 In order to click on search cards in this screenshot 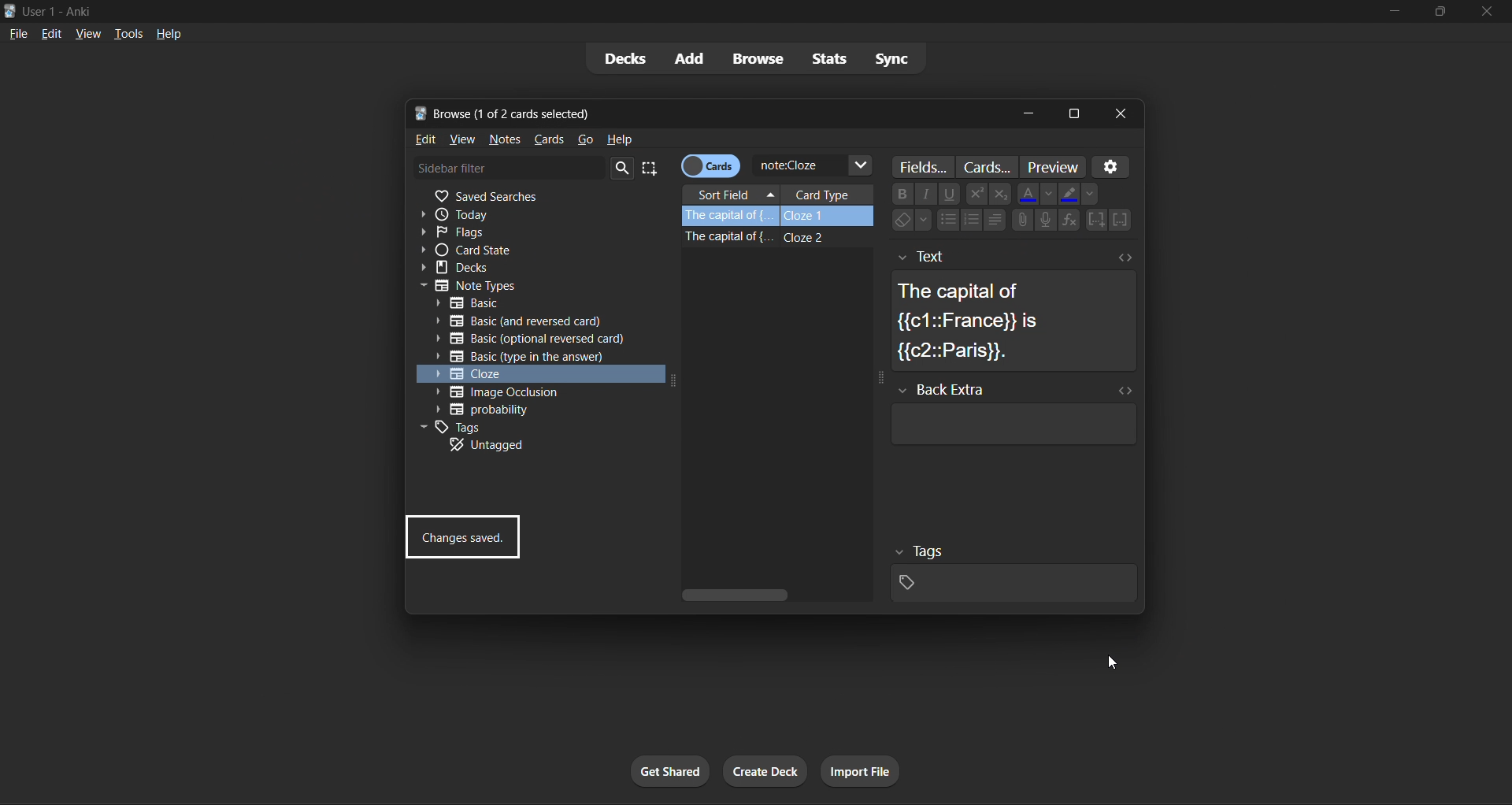, I will do `click(813, 166)`.